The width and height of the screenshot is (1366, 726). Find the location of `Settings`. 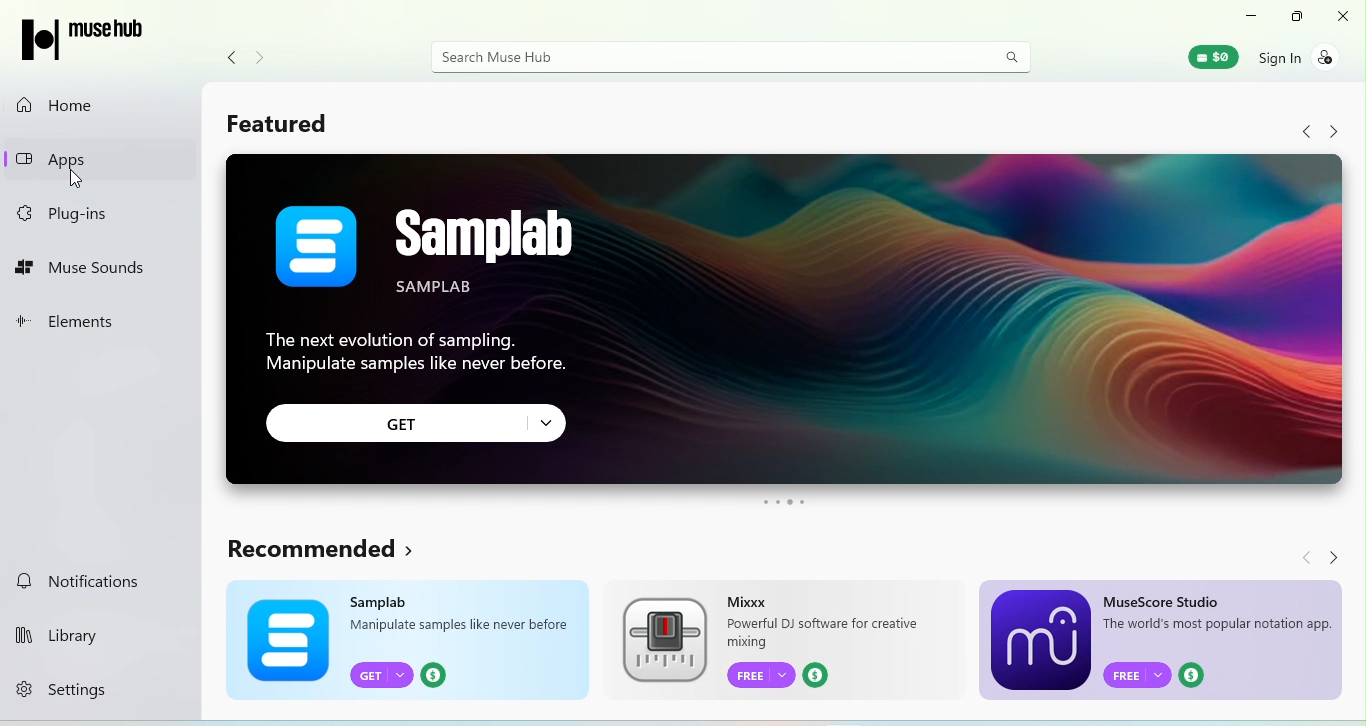

Settings is located at coordinates (69, 687).